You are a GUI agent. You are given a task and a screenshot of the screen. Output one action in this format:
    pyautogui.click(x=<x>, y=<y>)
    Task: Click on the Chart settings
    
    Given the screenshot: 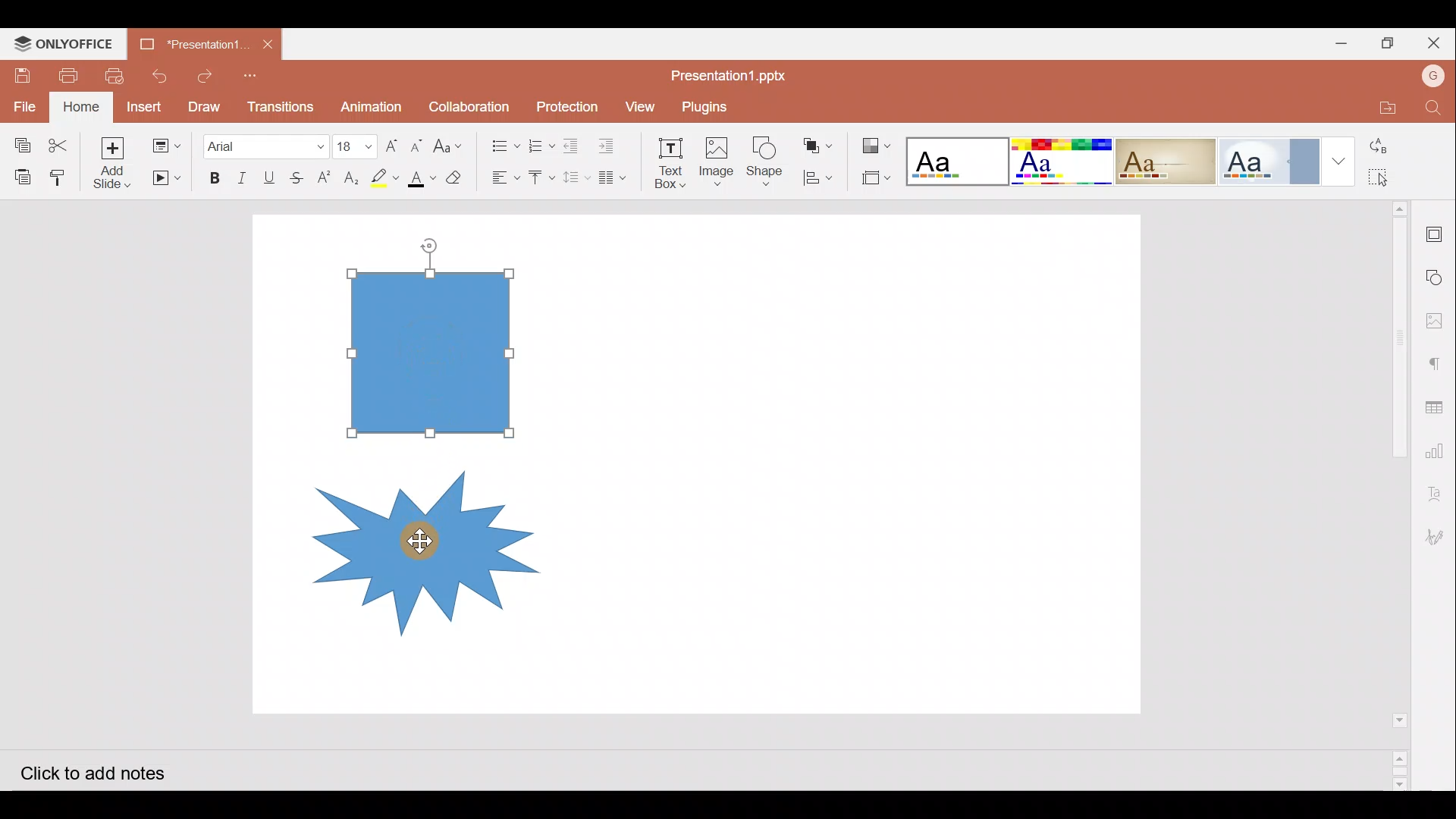 What is the action you would take?
    pyautogui.click(x=1442, y=454)
    